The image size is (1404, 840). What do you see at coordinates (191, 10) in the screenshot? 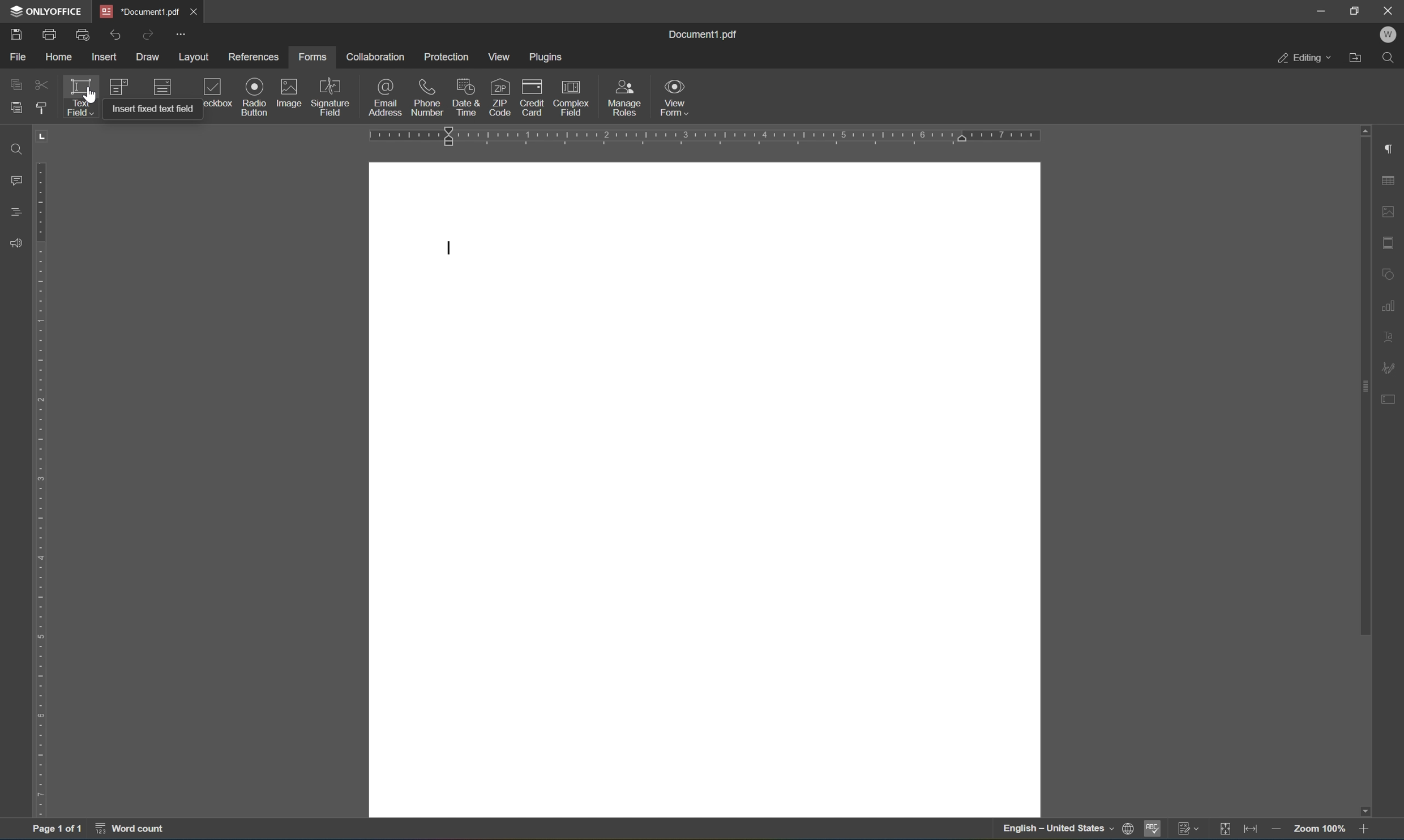
I see `close` at bounding box center [191, 10].